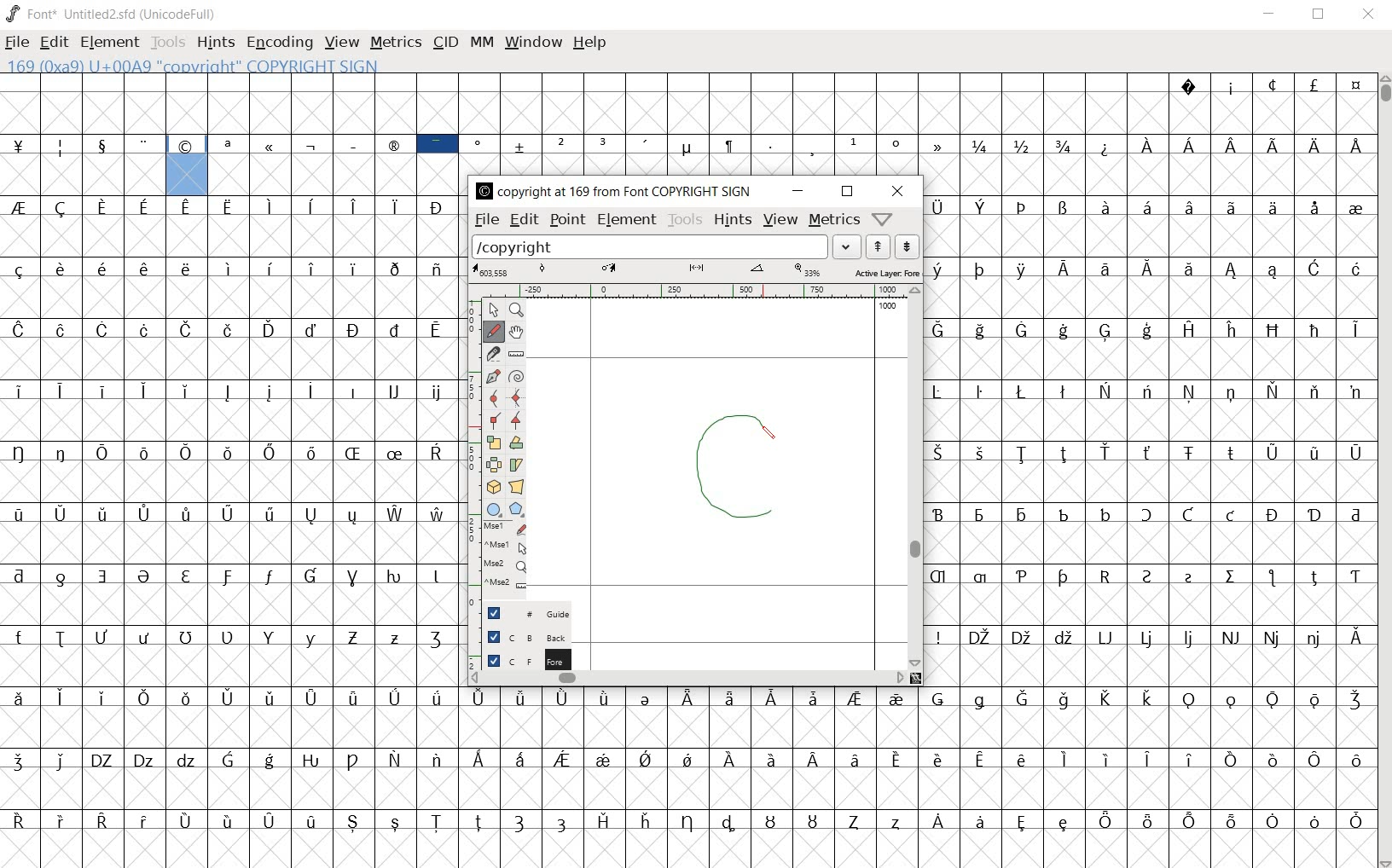  Describe the element at coordinates (516, 310) in the screenshot. I see `mAGNIFY` at that location.